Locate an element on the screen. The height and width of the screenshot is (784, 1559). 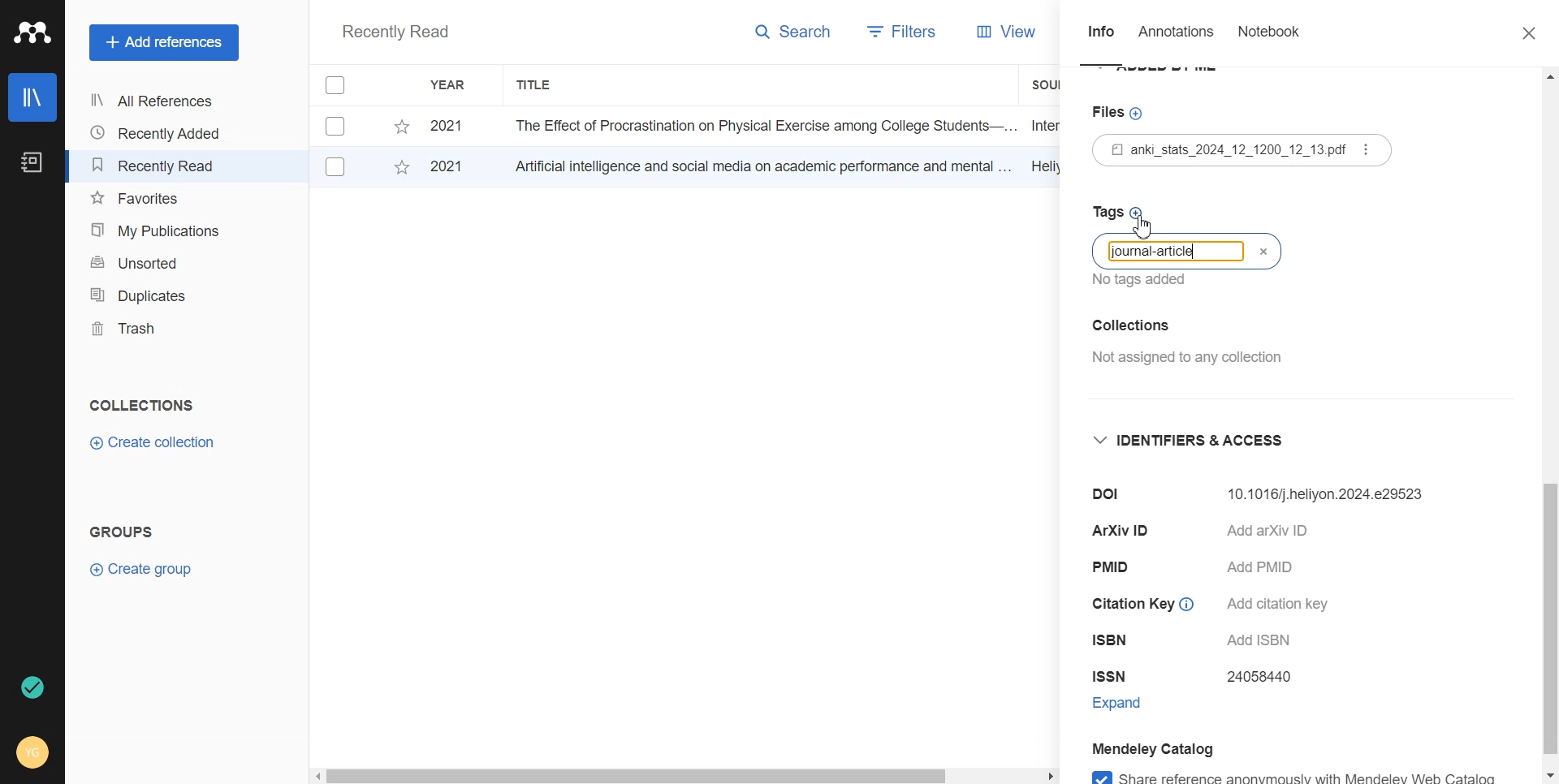
Favourites is located at coordinates (160, 199).